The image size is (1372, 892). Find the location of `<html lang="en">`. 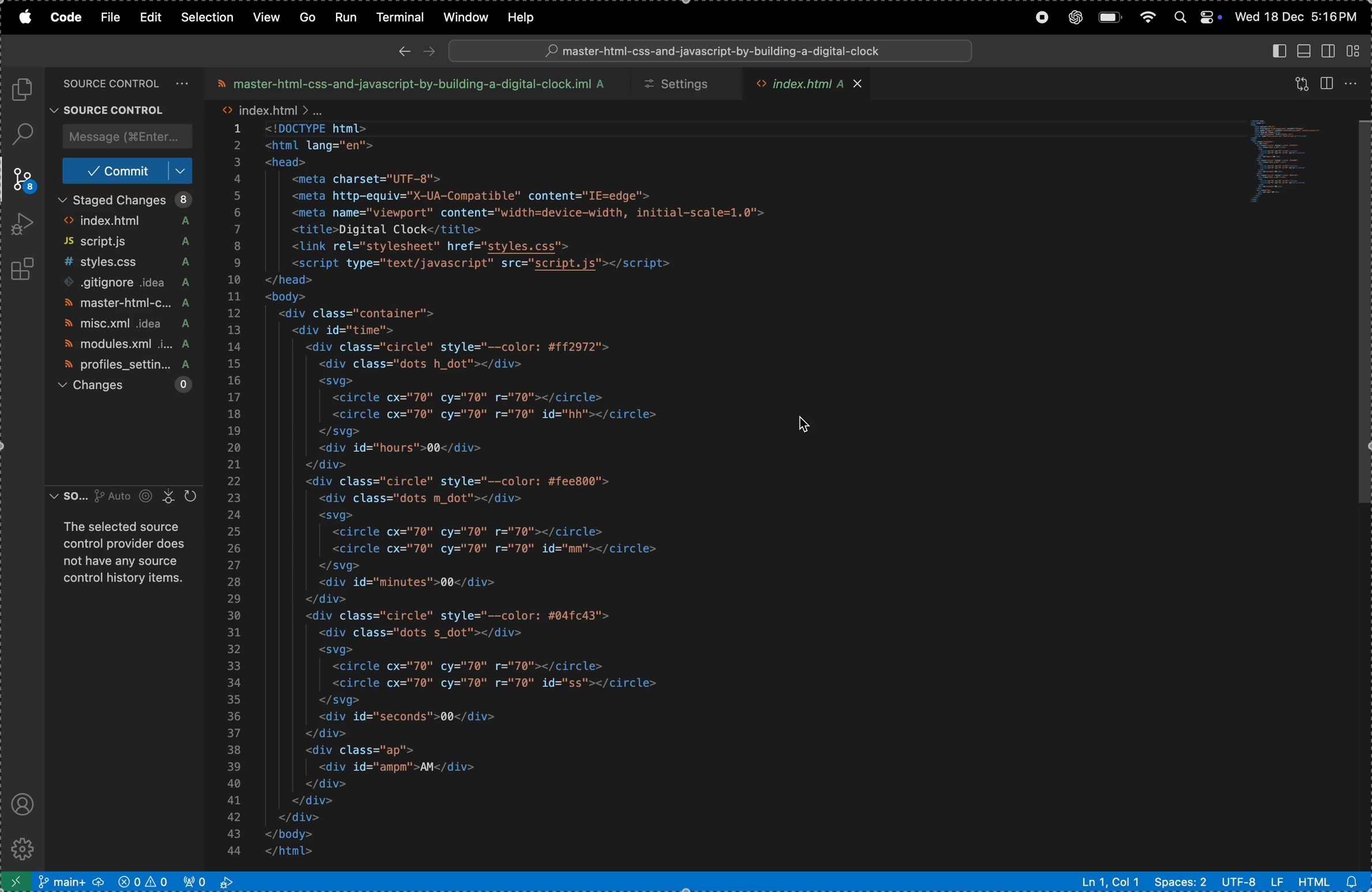

<html lang="en"> is located at coordinates (322, 146).